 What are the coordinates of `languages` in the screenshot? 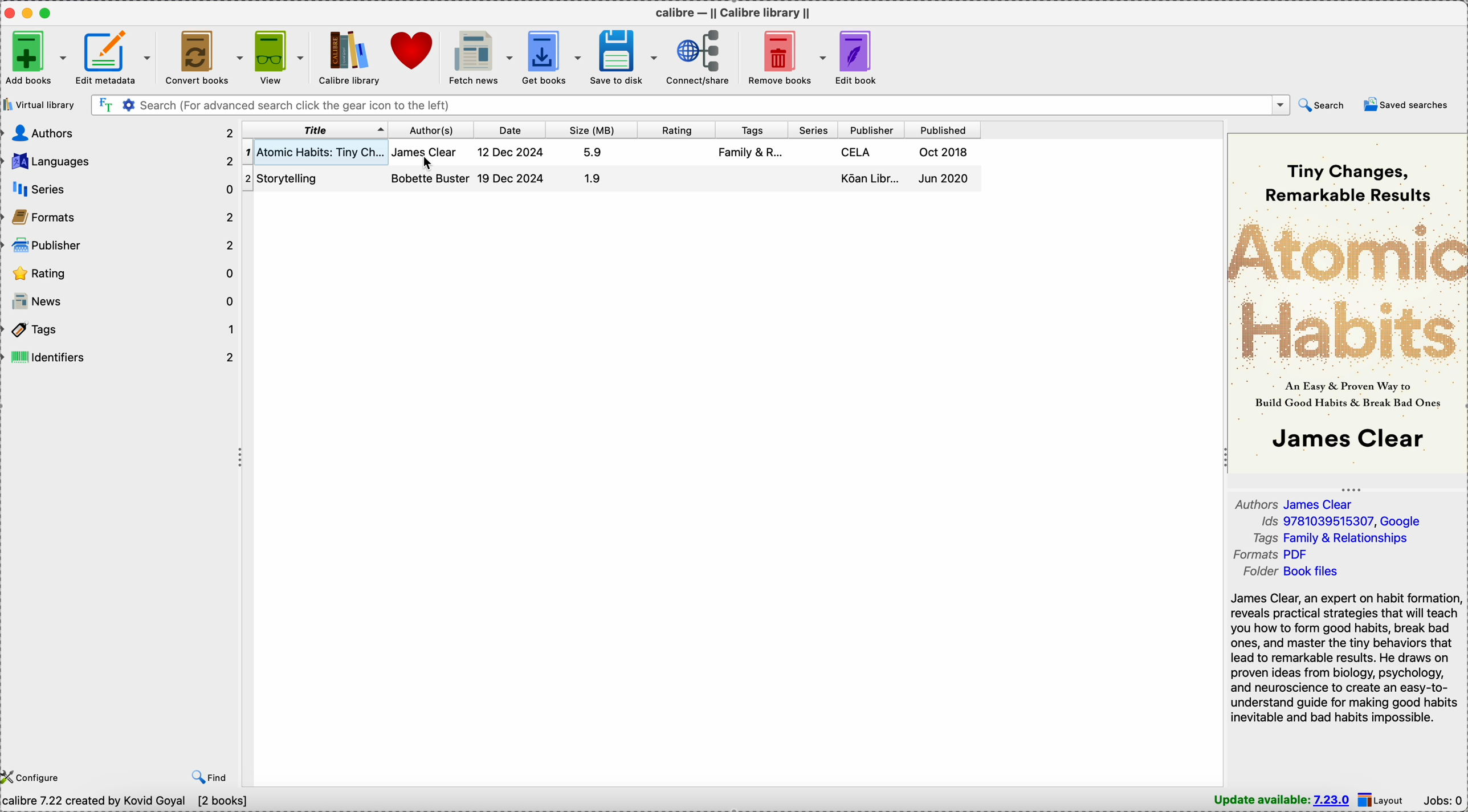 It's located at (119, 162).